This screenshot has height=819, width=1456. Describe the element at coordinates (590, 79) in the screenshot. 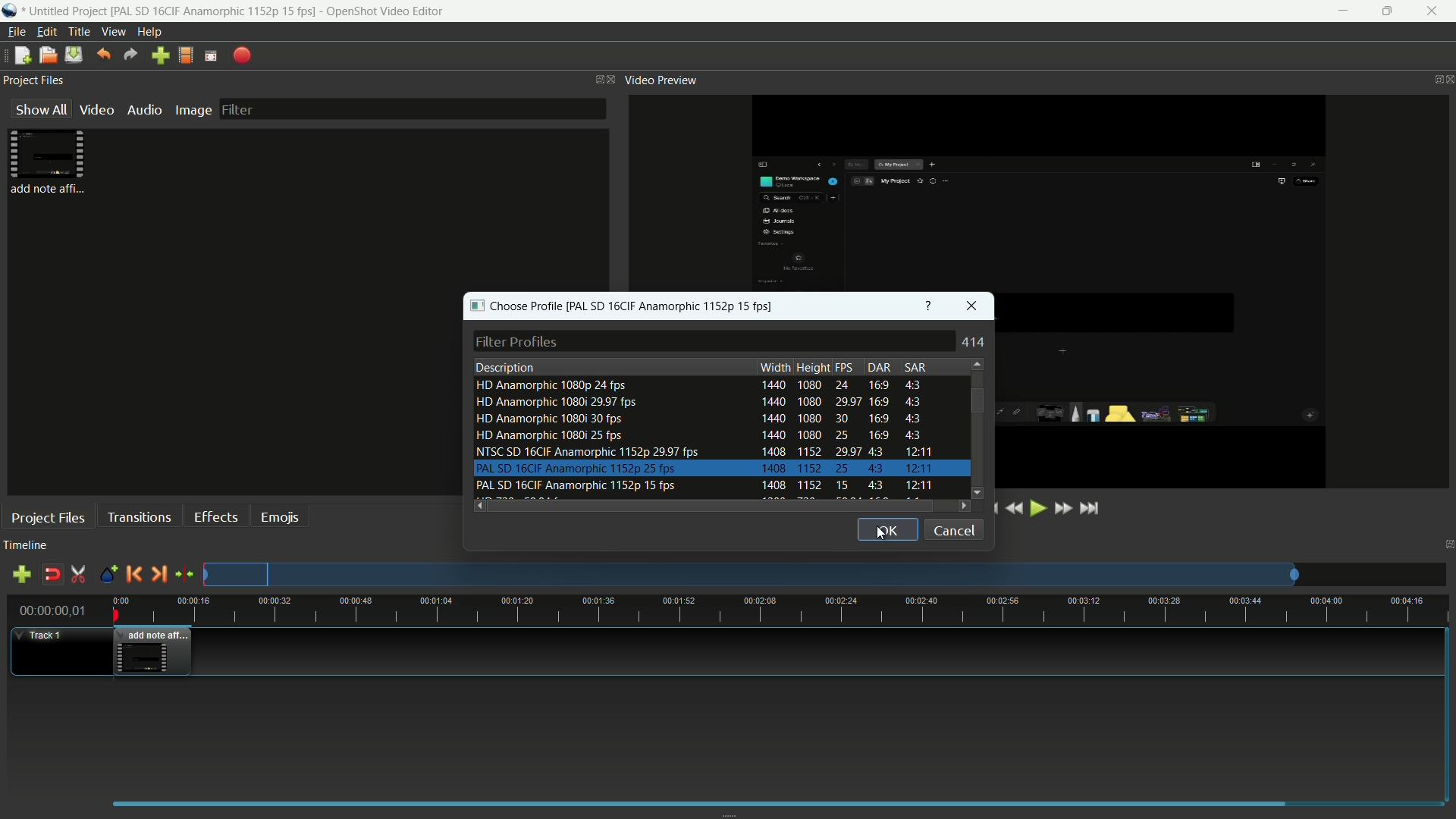

I see `change layout` at that location.